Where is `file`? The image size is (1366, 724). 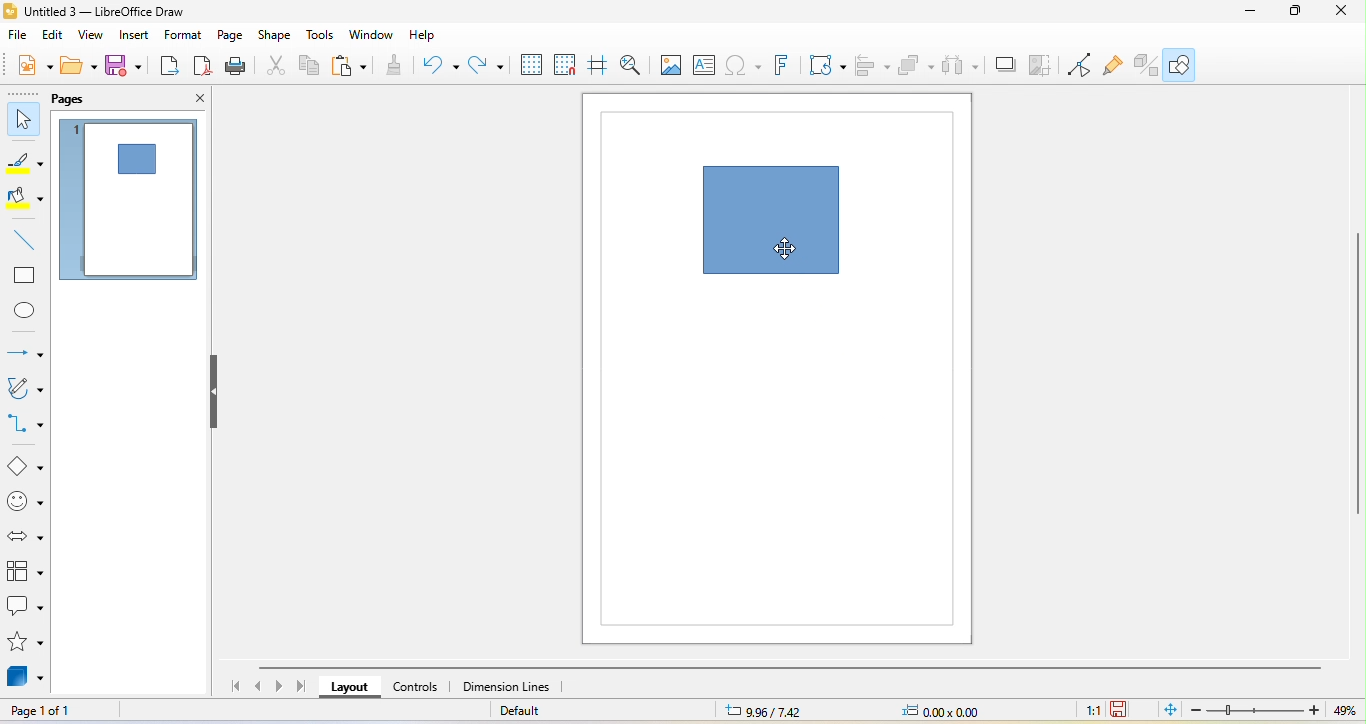
file is located at coordinates (17, 39).